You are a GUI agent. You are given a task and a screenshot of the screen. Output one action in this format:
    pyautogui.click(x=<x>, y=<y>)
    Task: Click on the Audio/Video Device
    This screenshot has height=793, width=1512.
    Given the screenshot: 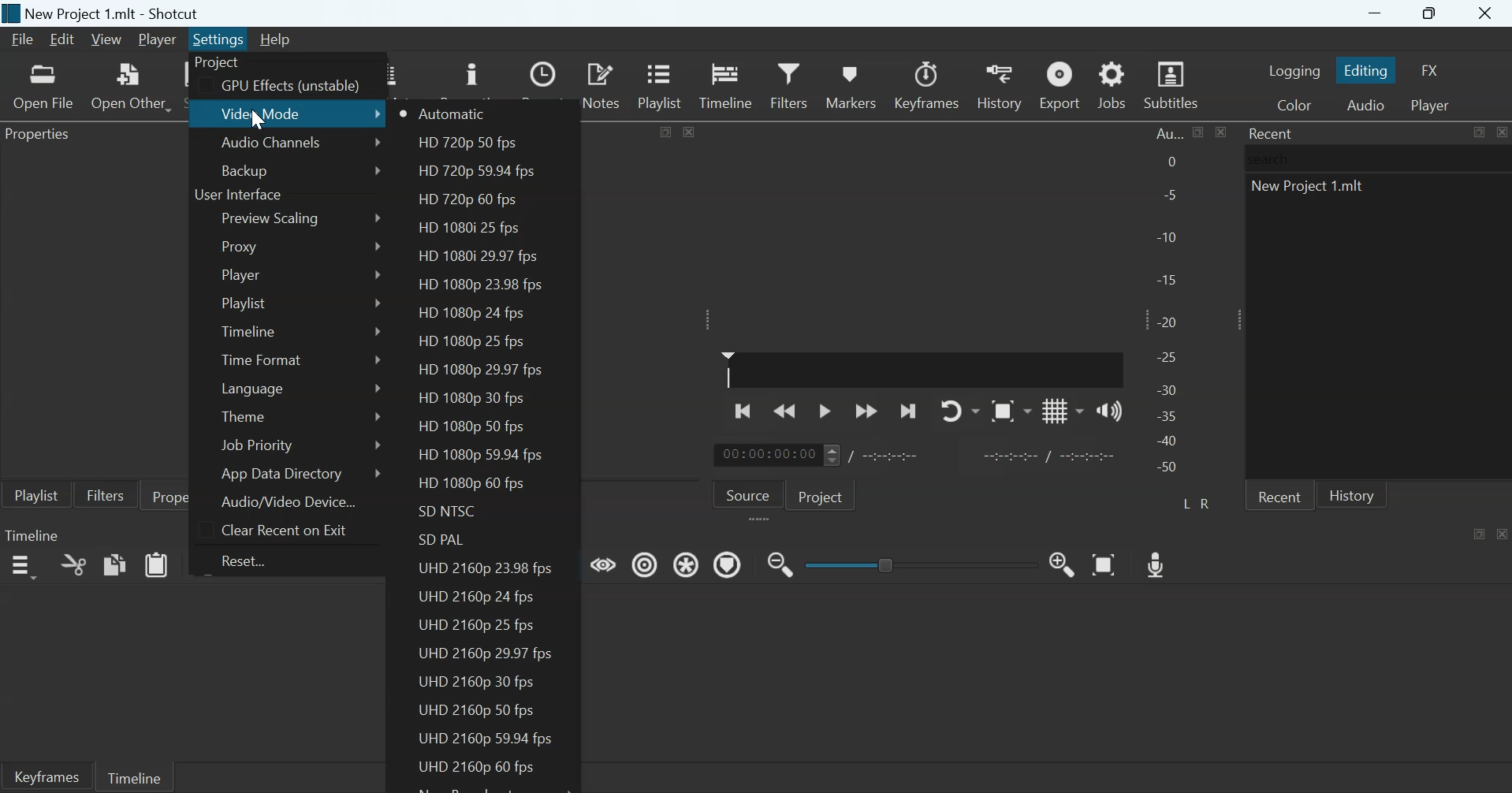 What is the action you would take?
    pyautogui.click(x=289, y=501)
    